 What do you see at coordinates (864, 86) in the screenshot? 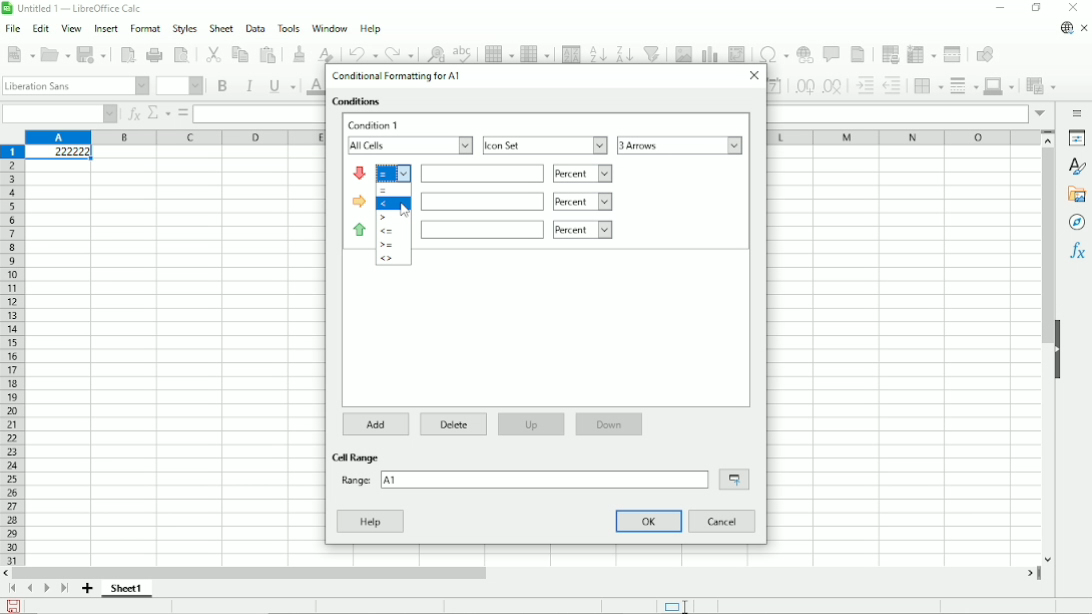
I see `Increase indent` at bounding box center [864, 86].